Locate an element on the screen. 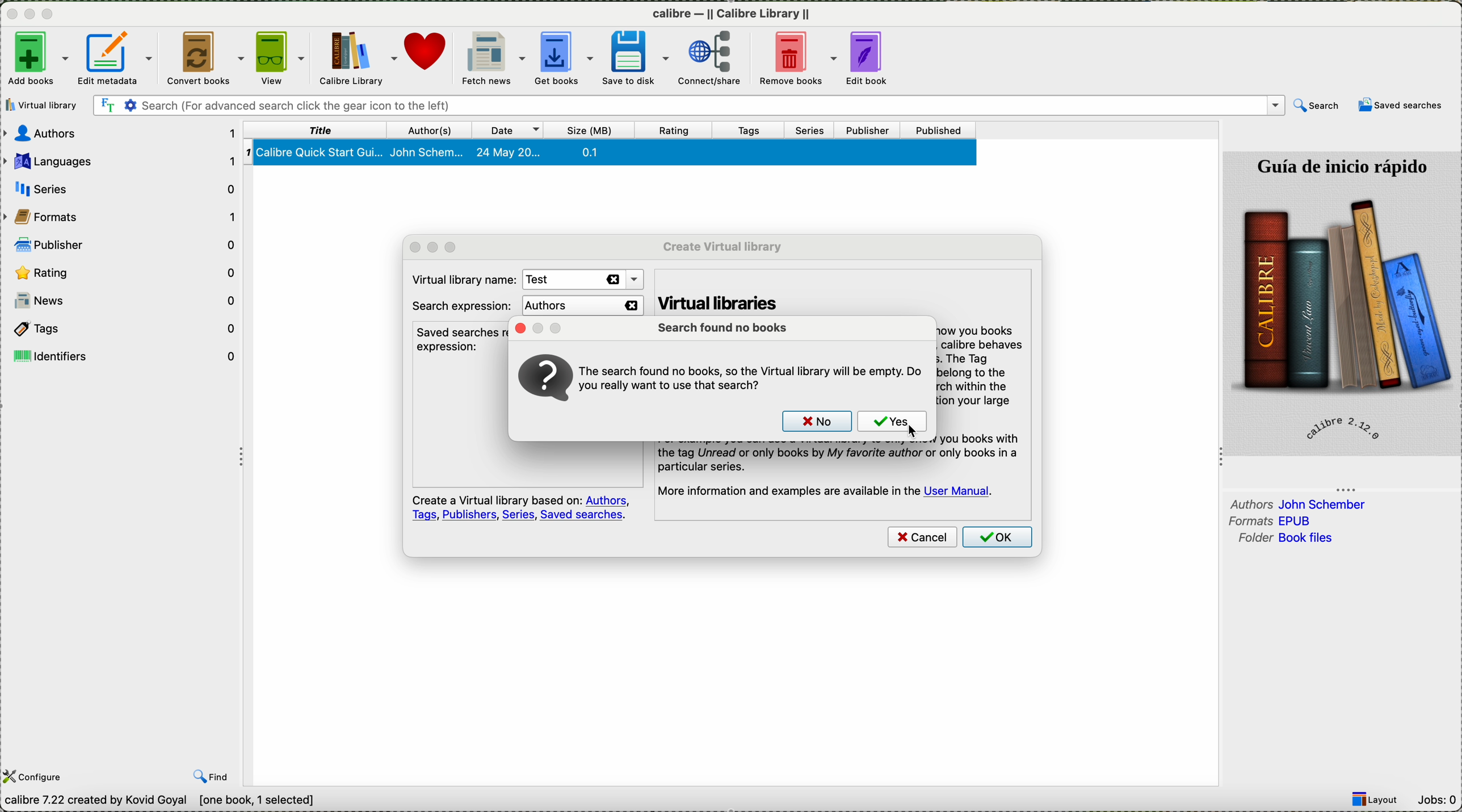 The width and height of the screenshot is (1462, 812). virtual libraries with virtual libraries you can resist Callibre to only show you books that match a search .when a virtual library is in effect ,Callibre behave as  though the library contains only the match books. t tag browser display only tha lags that belong to the match book that you have searched in books in virtual library.this is good way to partition your bigg library into small parts and works in subset.more information and examples are available in user manual. is located at coordinates (845, 295).